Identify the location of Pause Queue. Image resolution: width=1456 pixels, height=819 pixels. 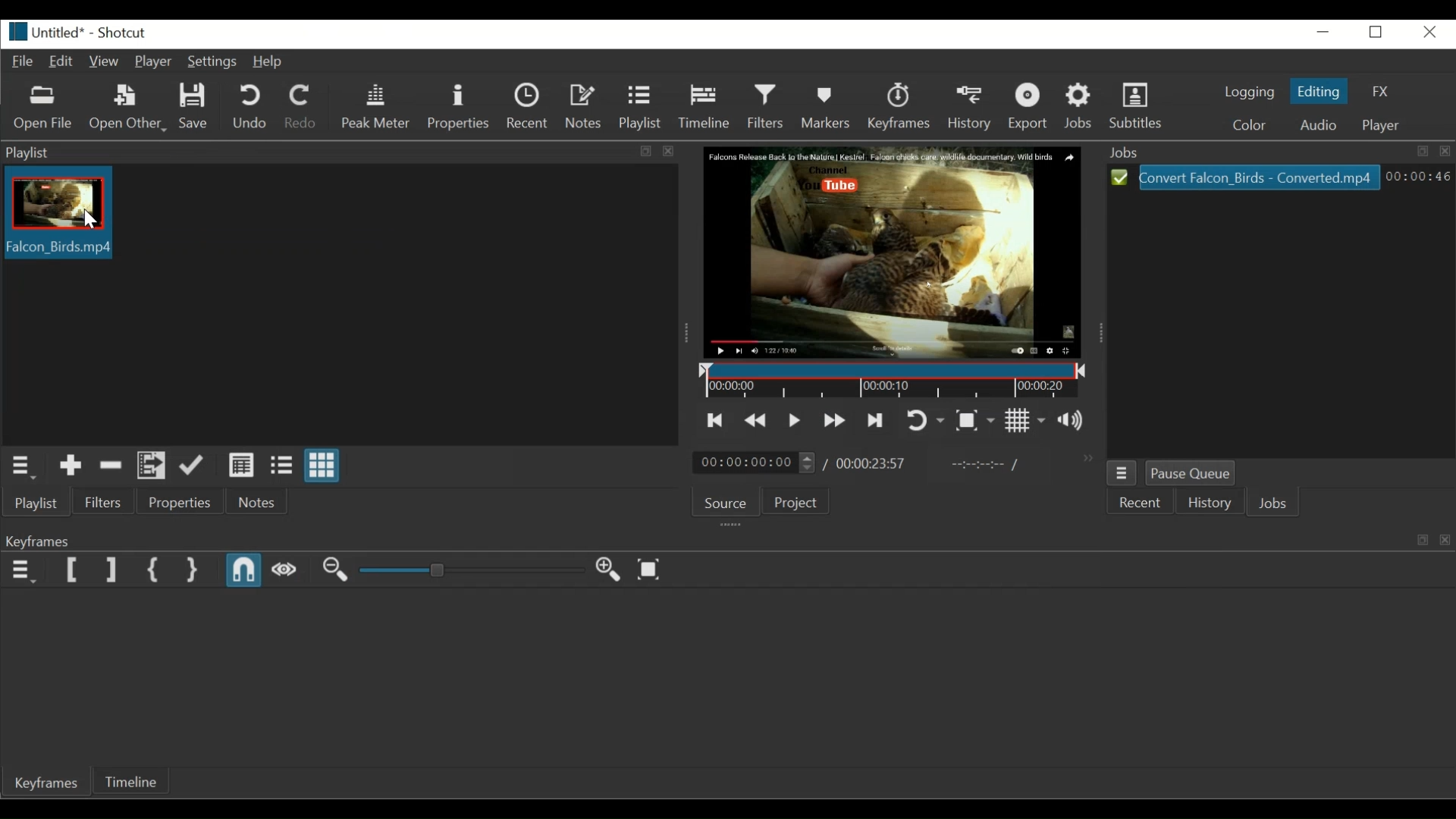
(1193, 472).